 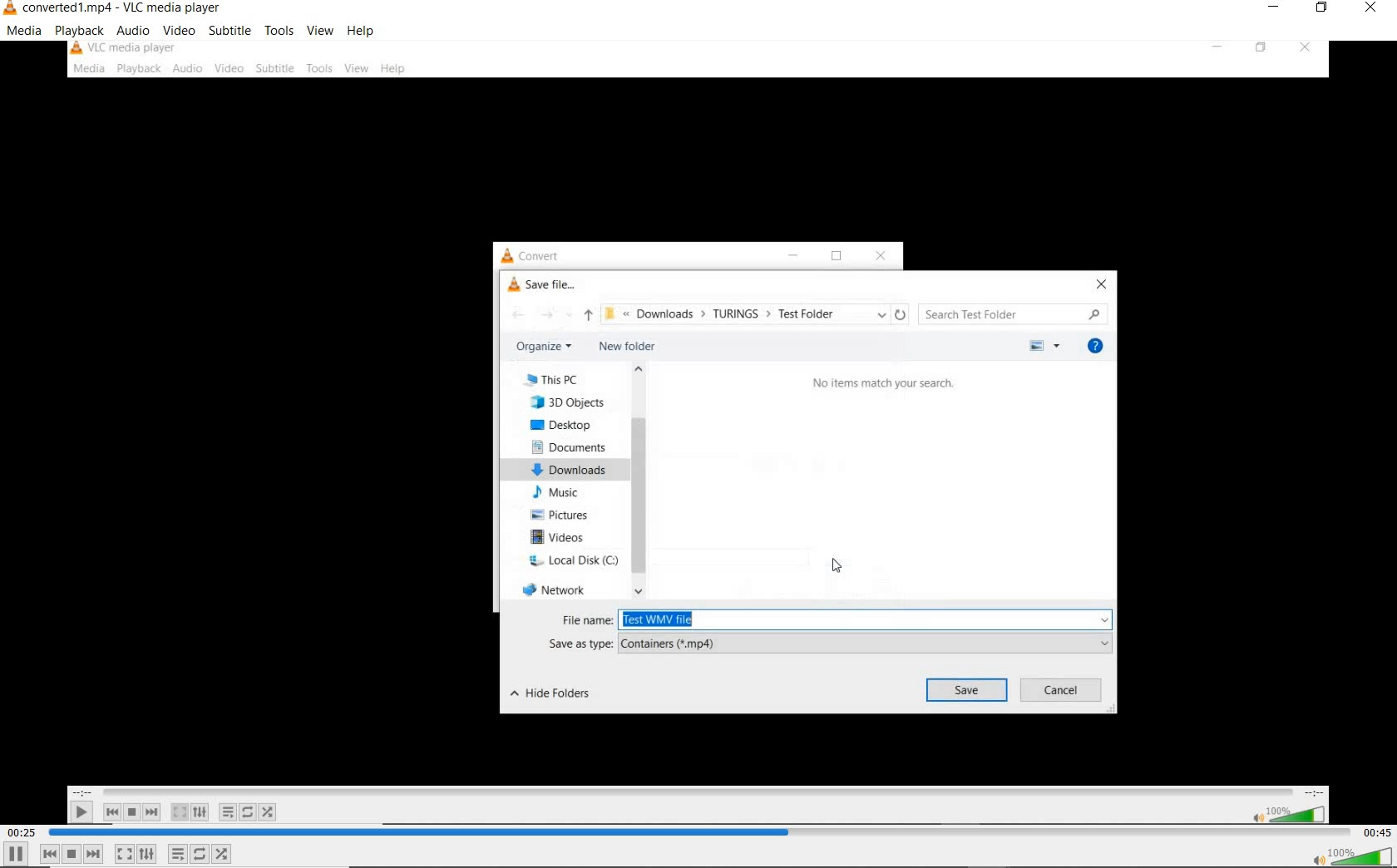 What do you see at coordinates (231, 30) in the screenshot?
I see `subtitle` at bounding box center [231, 30].